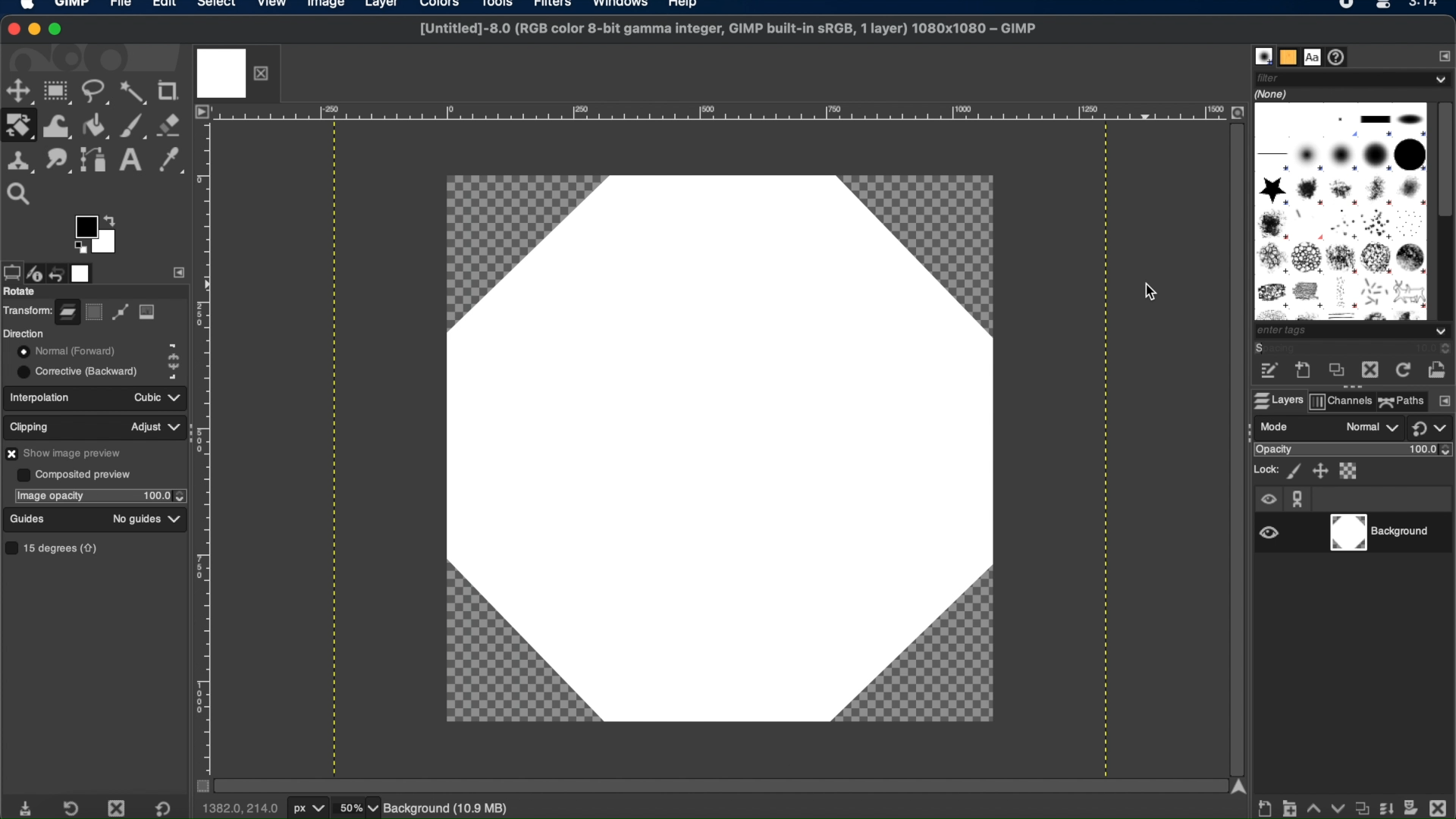 The image size is (1456, 819). What do you see at coordinates (443, 8) in the screenshot?
I see `colors` at bounding box center [443, 8].